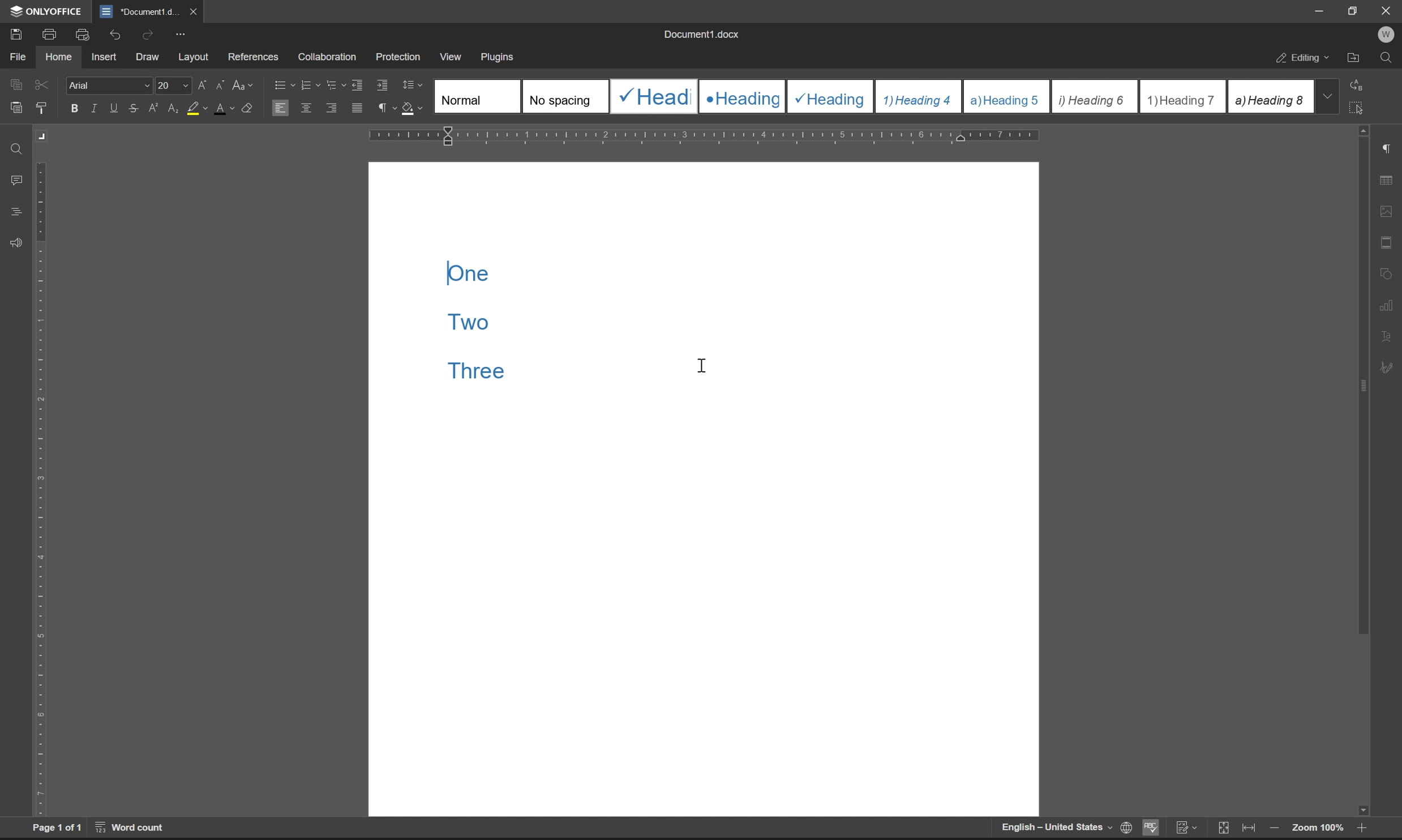 The height and width of the screenshot is (840, 1402). What do you see at coordinates (43, 84) in the screenshot?
I see `cut` at bounding box center [43, 84].